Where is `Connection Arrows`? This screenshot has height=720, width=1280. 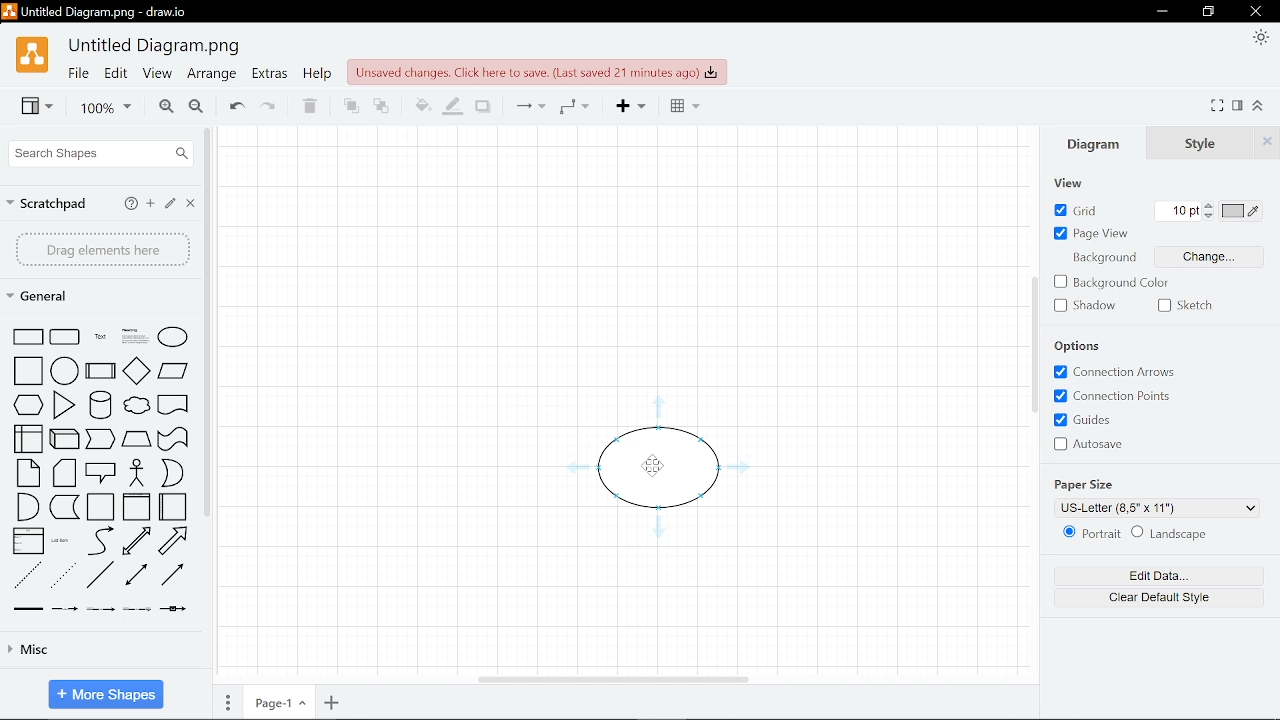
Connection Arrows is located at coordinates (1115, 373).